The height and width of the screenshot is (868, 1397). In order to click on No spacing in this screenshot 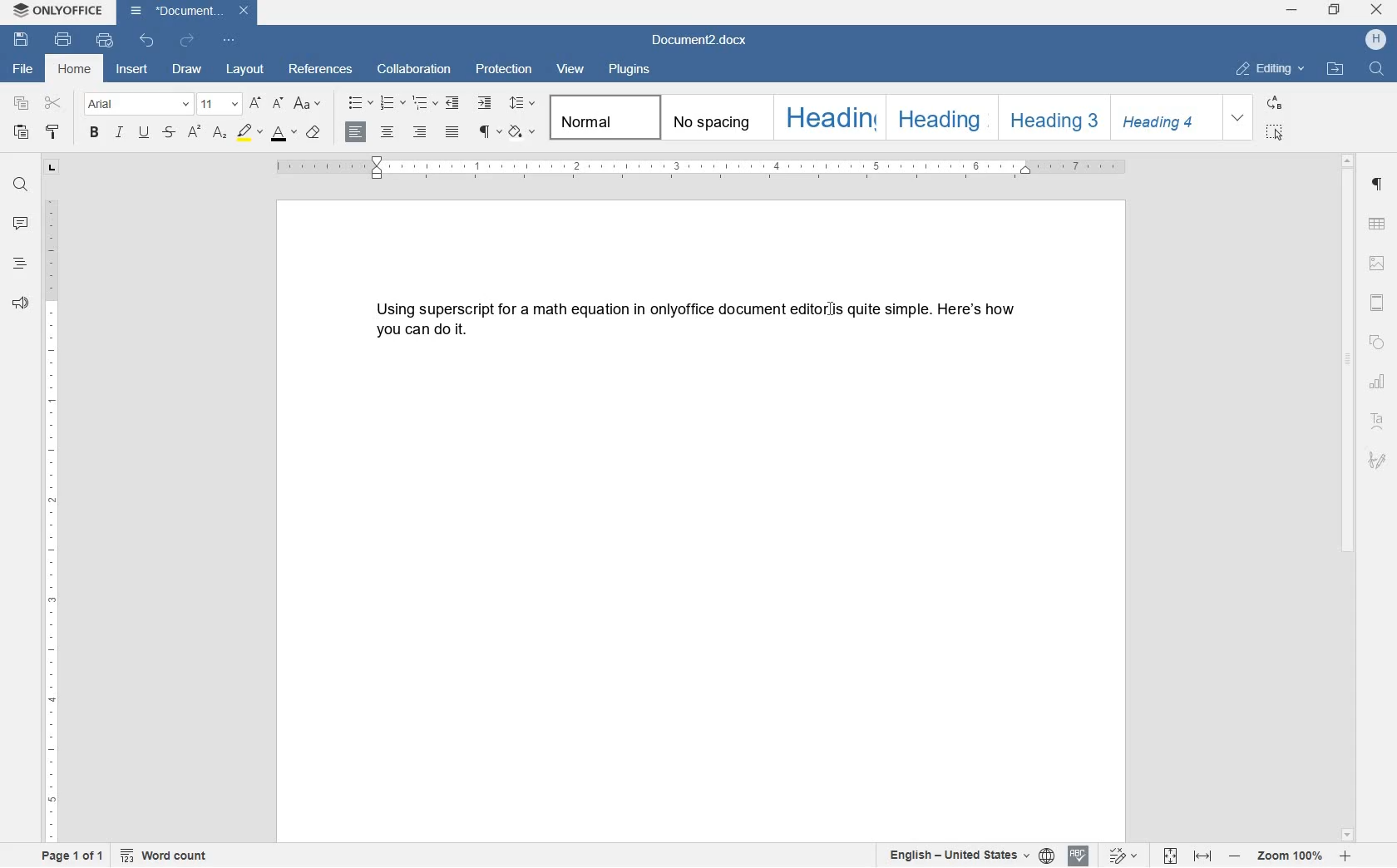, I will do `click(711, 116)`.